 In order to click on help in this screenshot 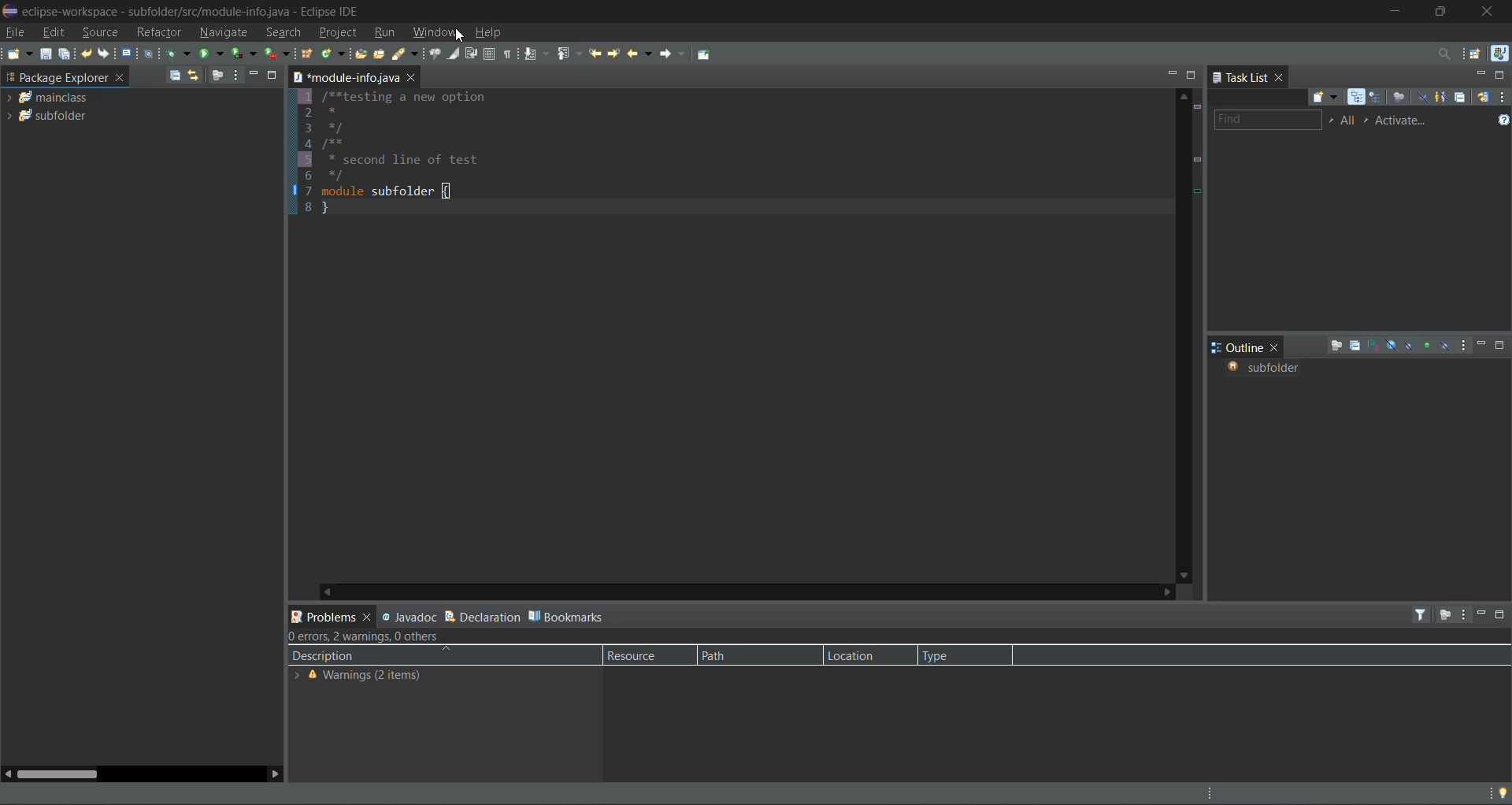, I will do `click(495, 33)`.